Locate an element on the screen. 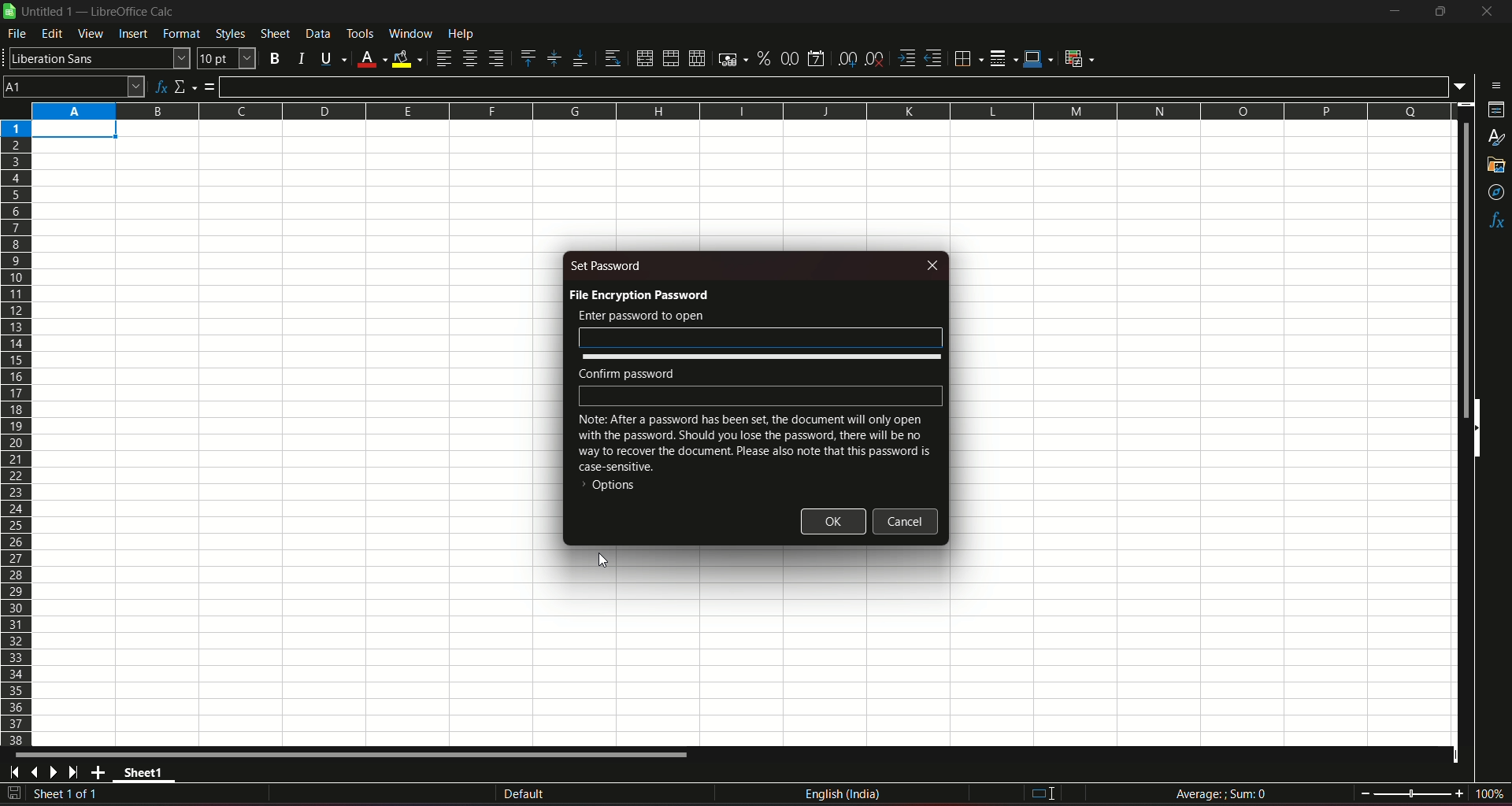  align top is located at coordinates (528, 57).